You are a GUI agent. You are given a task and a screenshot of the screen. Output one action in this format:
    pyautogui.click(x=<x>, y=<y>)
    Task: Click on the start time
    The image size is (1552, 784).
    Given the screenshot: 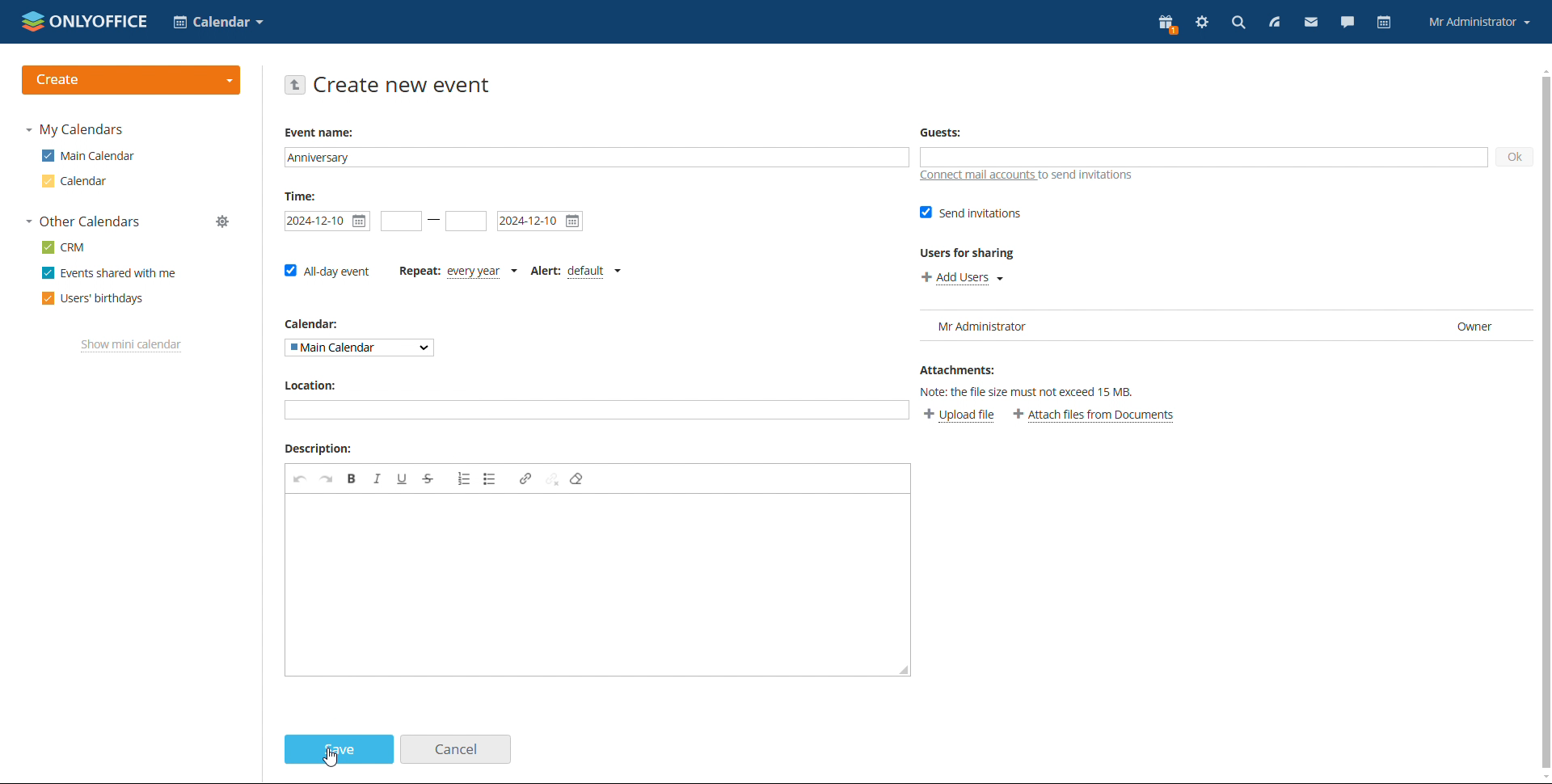 What is the action you would take?
    pyautogui.click(x=328, y=221)
    